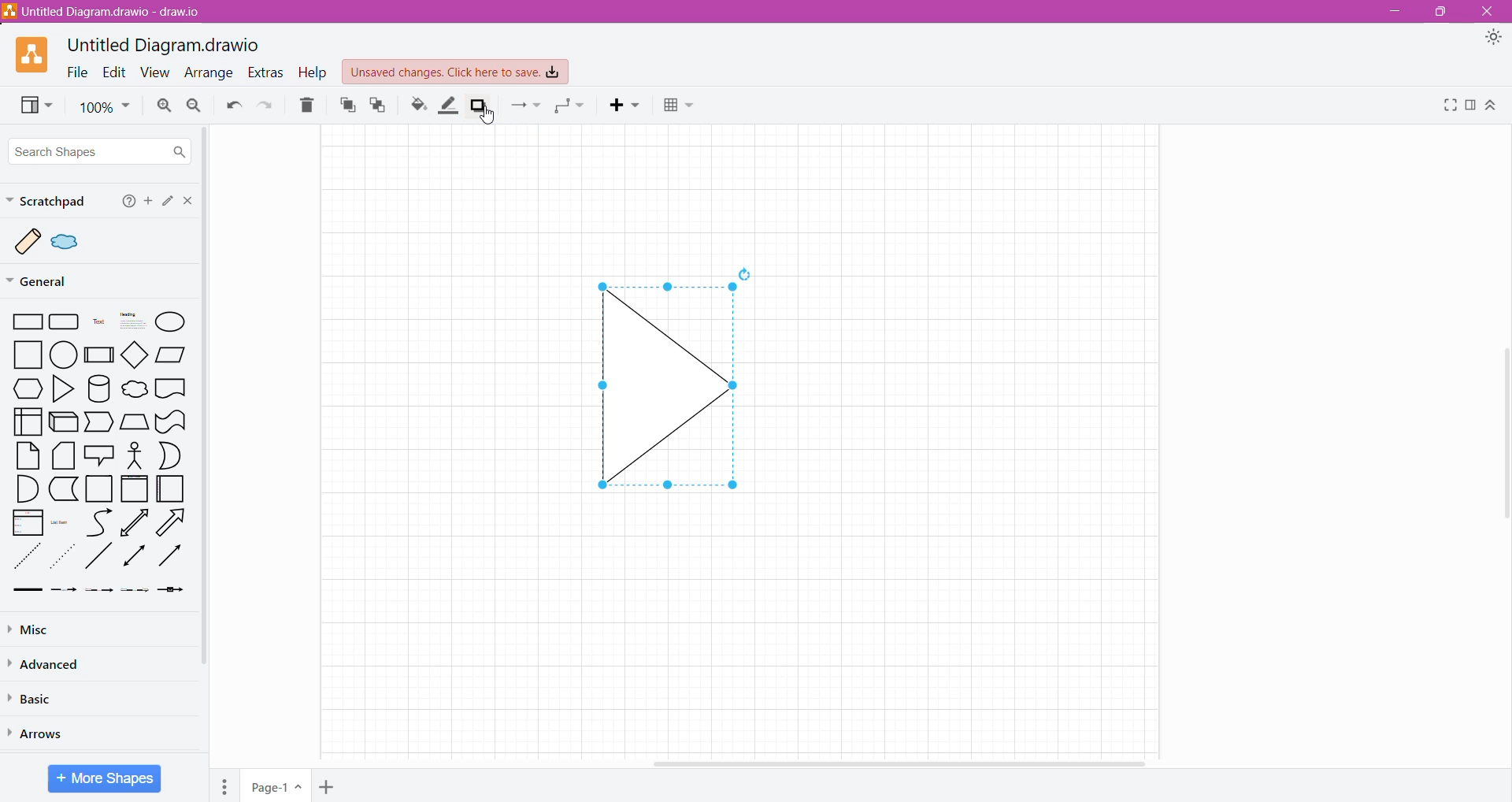 The height and width of the screenshot is (802, 1512). Describe the element at coordinates (104, 108) in the screenshot. I see `100%` at that location.